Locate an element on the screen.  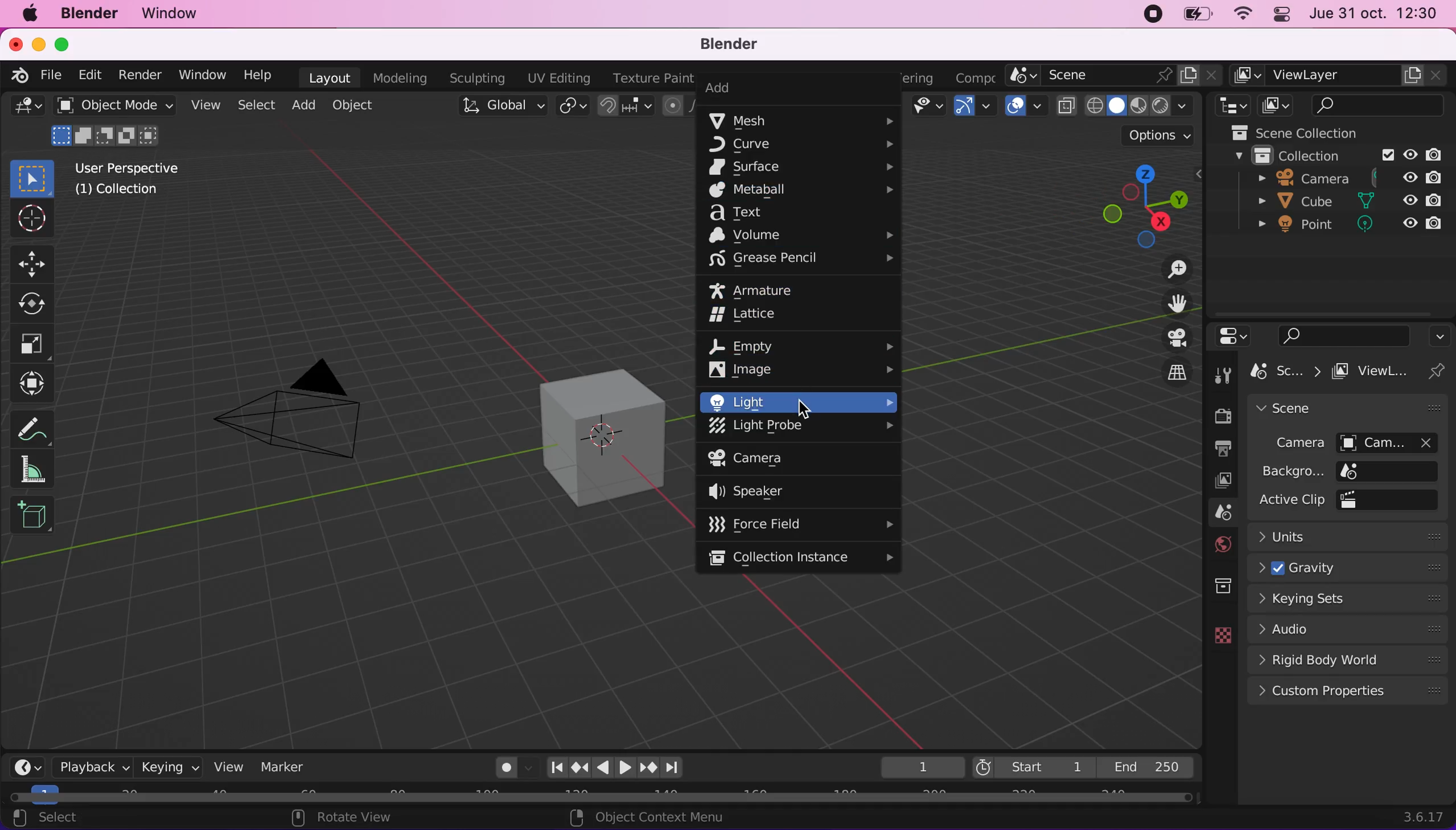
scene is located at coordinates (1218, 513).